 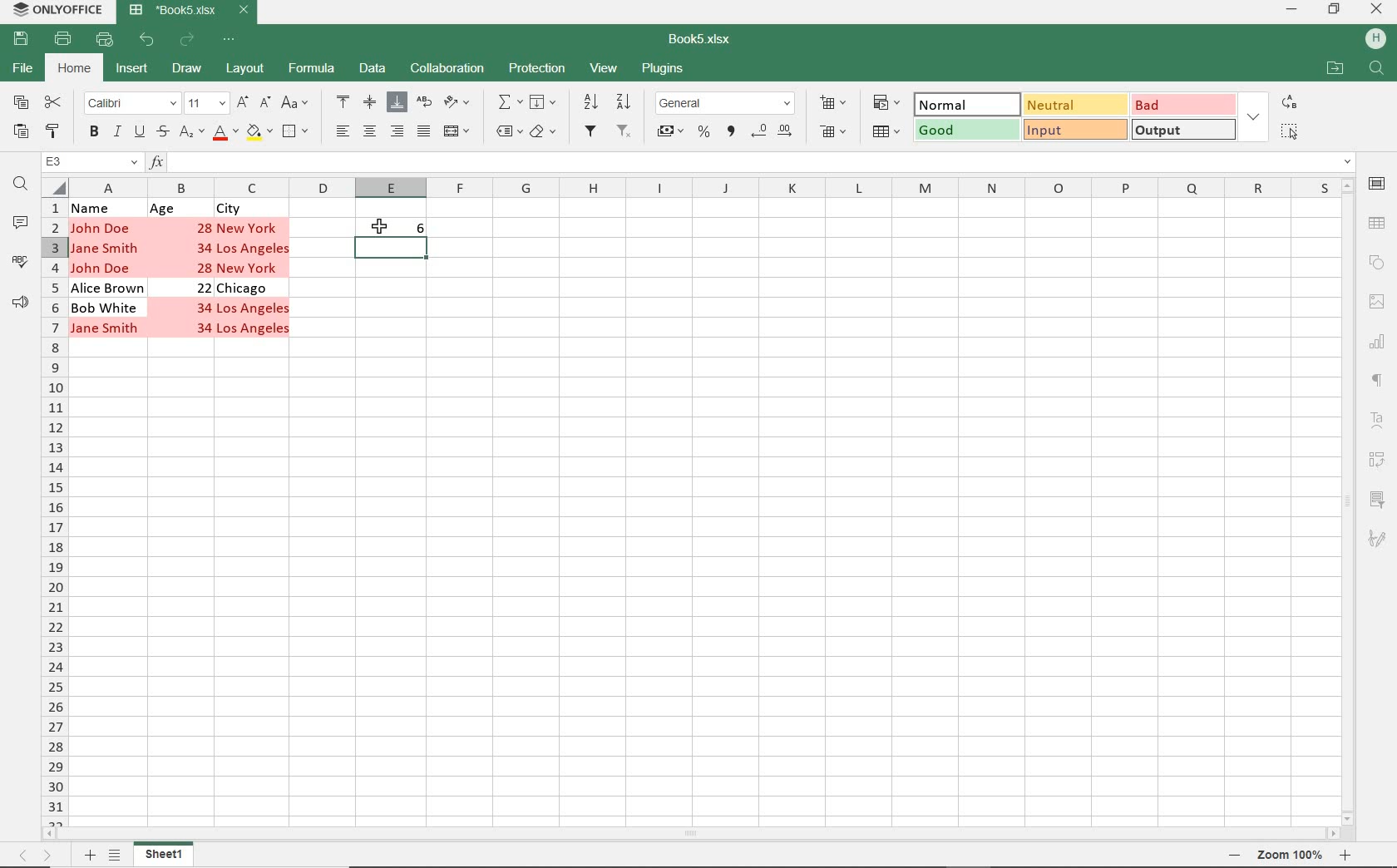 I want to click on ALIGN LEFT, so click(x=343, y=132).